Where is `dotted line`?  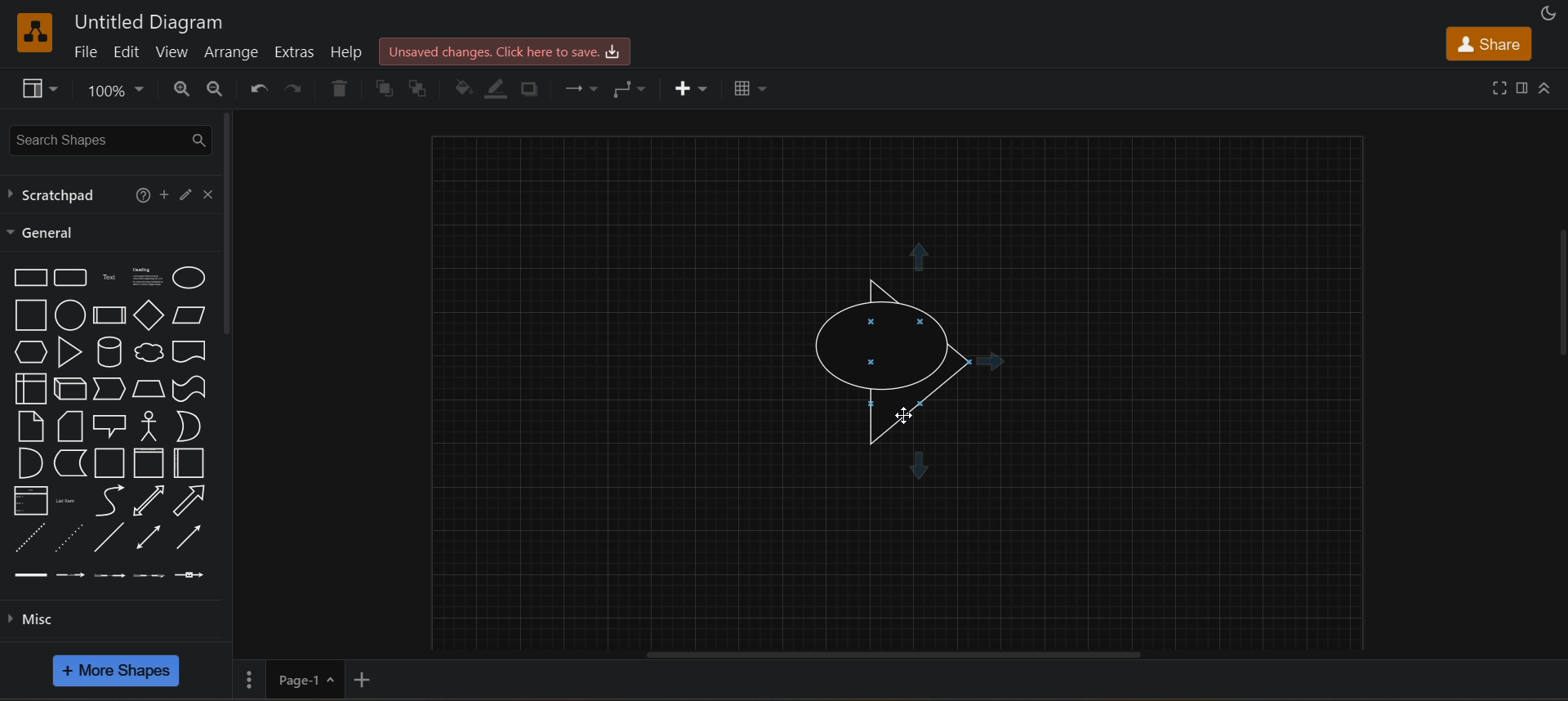
dotted line is located at coordinates (69, 537).